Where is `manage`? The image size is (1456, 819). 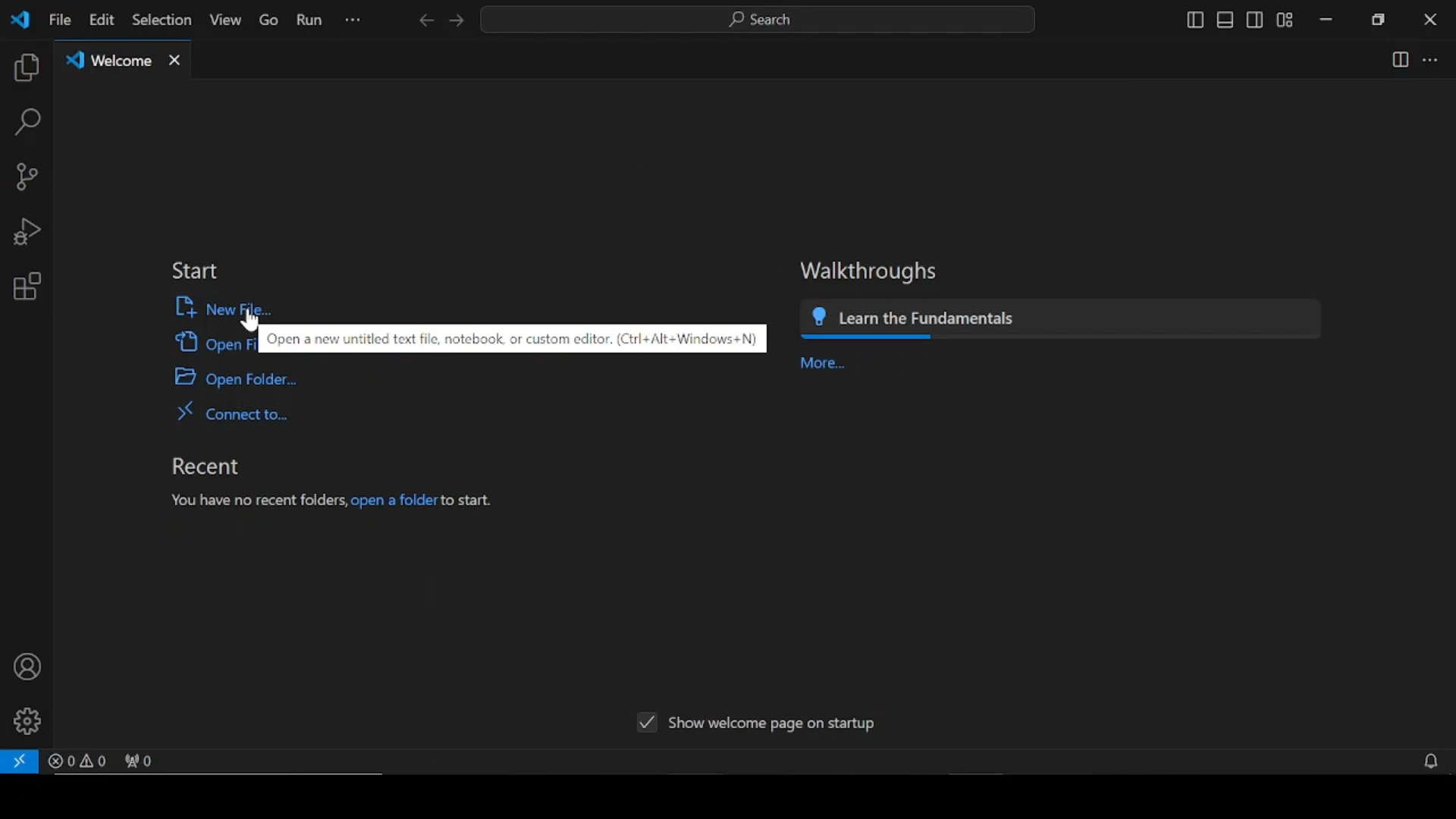 manage is located at coordinates (27, 722).